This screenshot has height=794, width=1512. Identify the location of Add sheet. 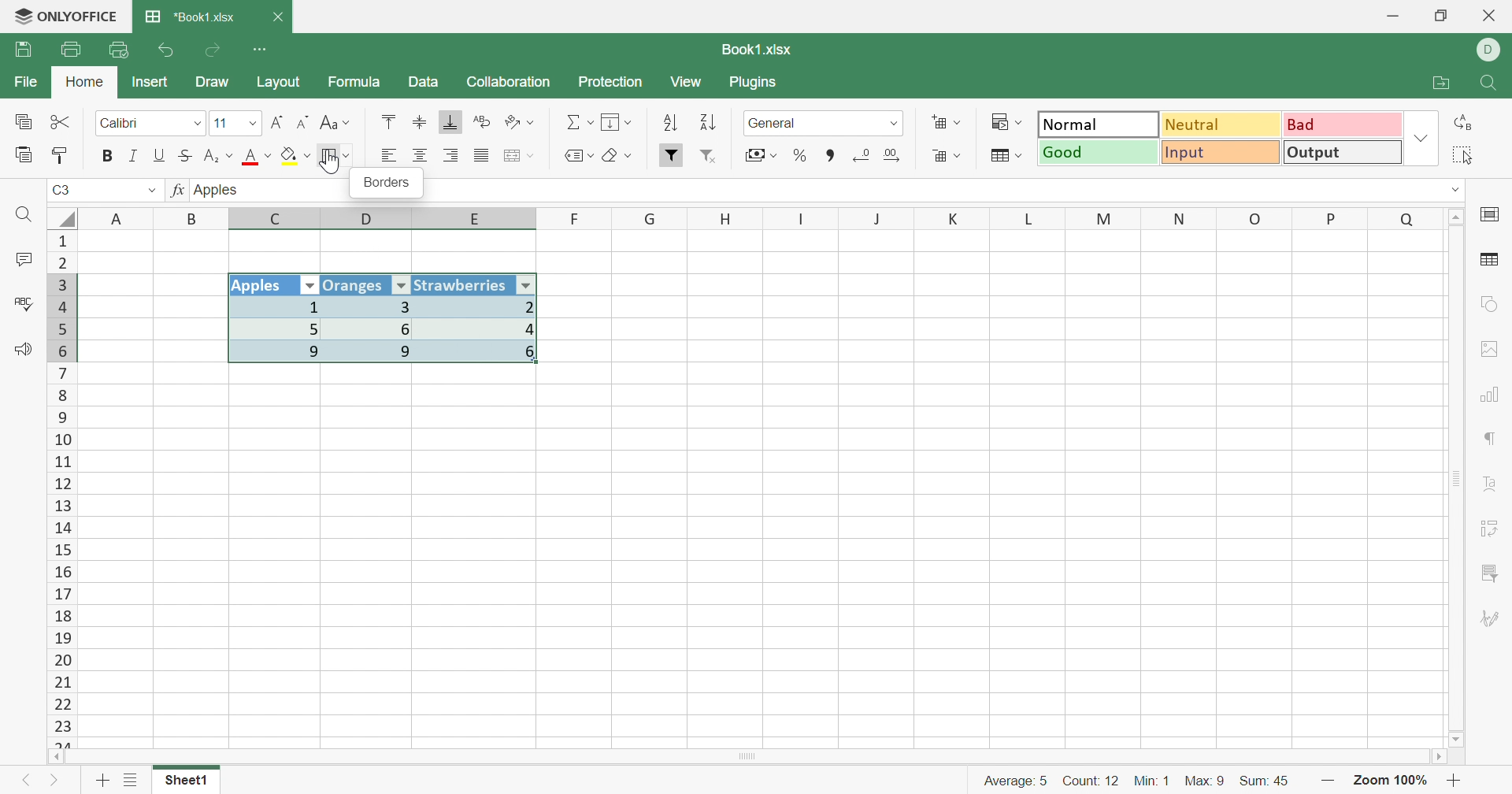
(102, 780).